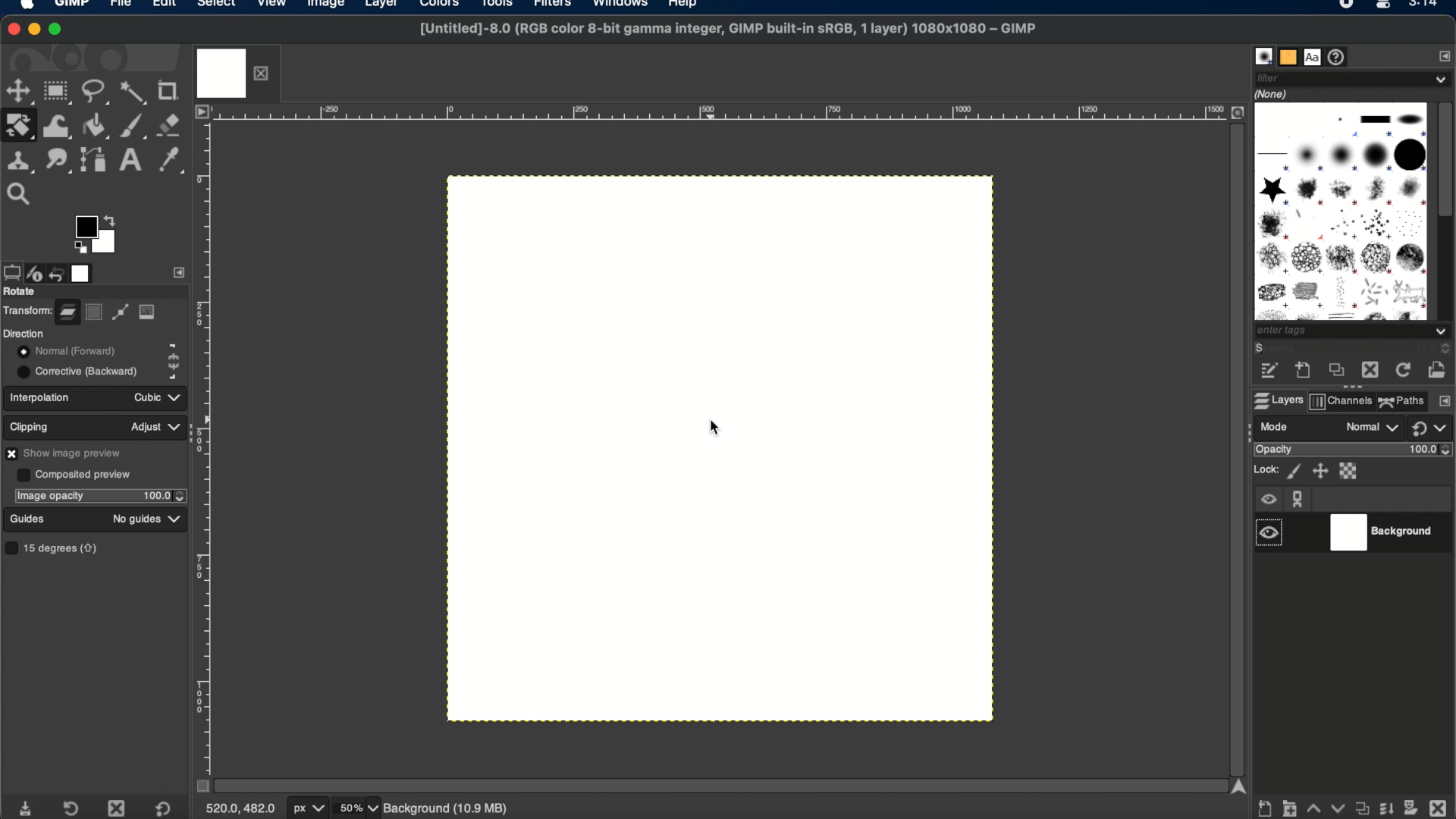  What do you see at coordinates (32, 425) in the screenshot?
I see `clipping` at bounding box center [32, 425].